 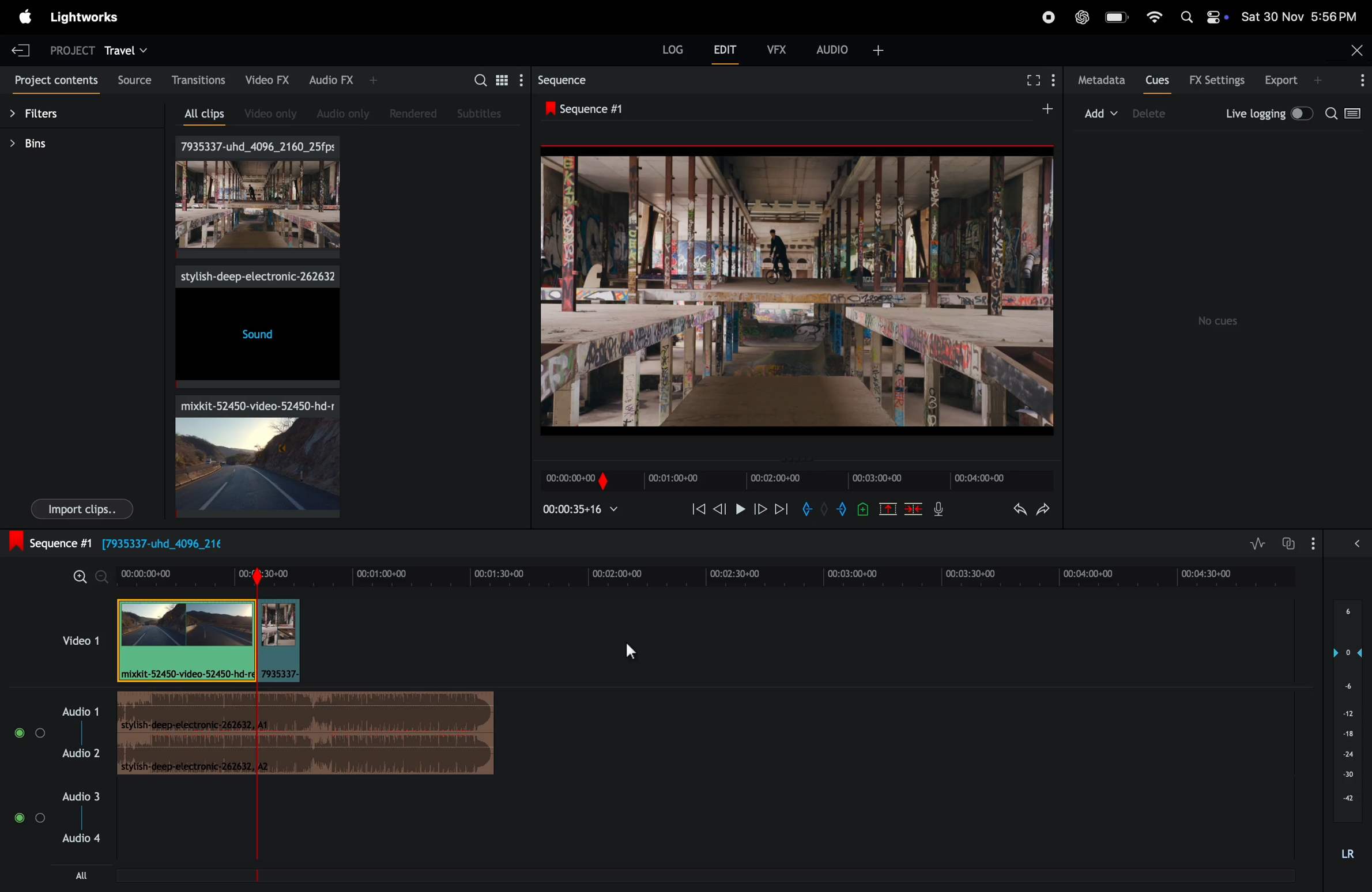 What do you see at coordinates (807, 509) in the screenshot?
I see `add in` at bounding box center [807, 509].